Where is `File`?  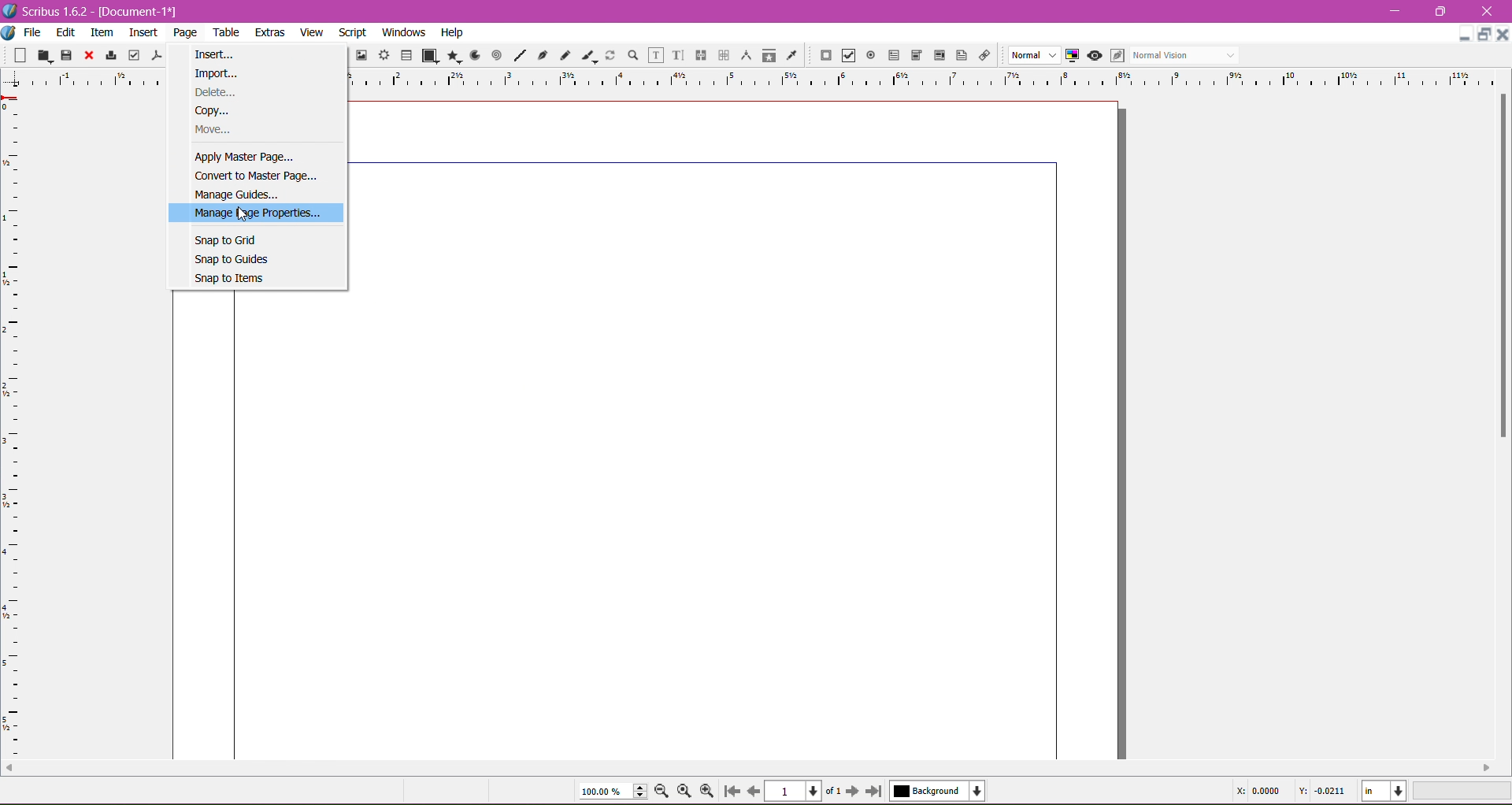 File is located at coordinates (34, 32).